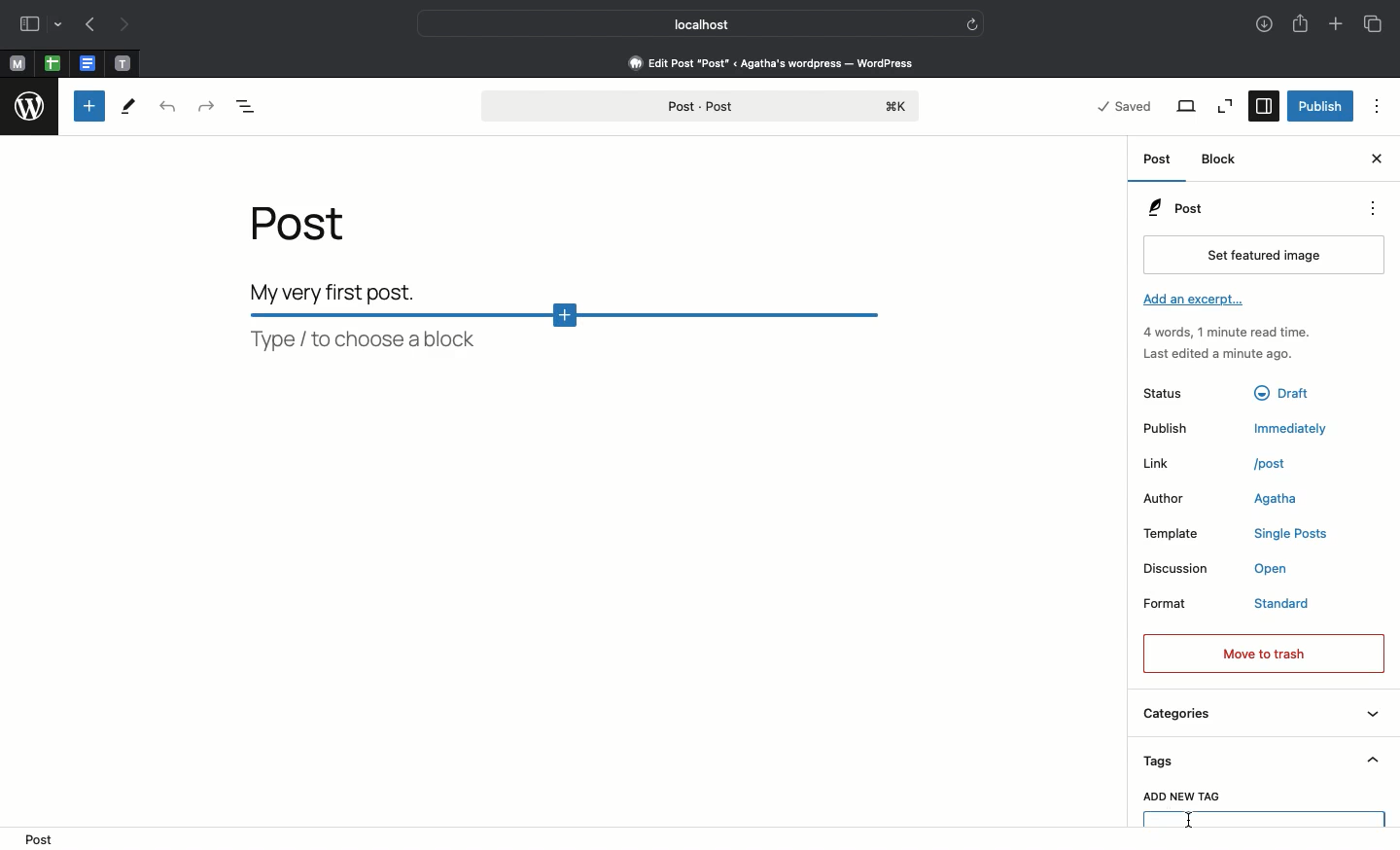  What do you see at coordinates (1159, 161) in the screenshot?
I see `Post` at bounding box center [1159, 161].